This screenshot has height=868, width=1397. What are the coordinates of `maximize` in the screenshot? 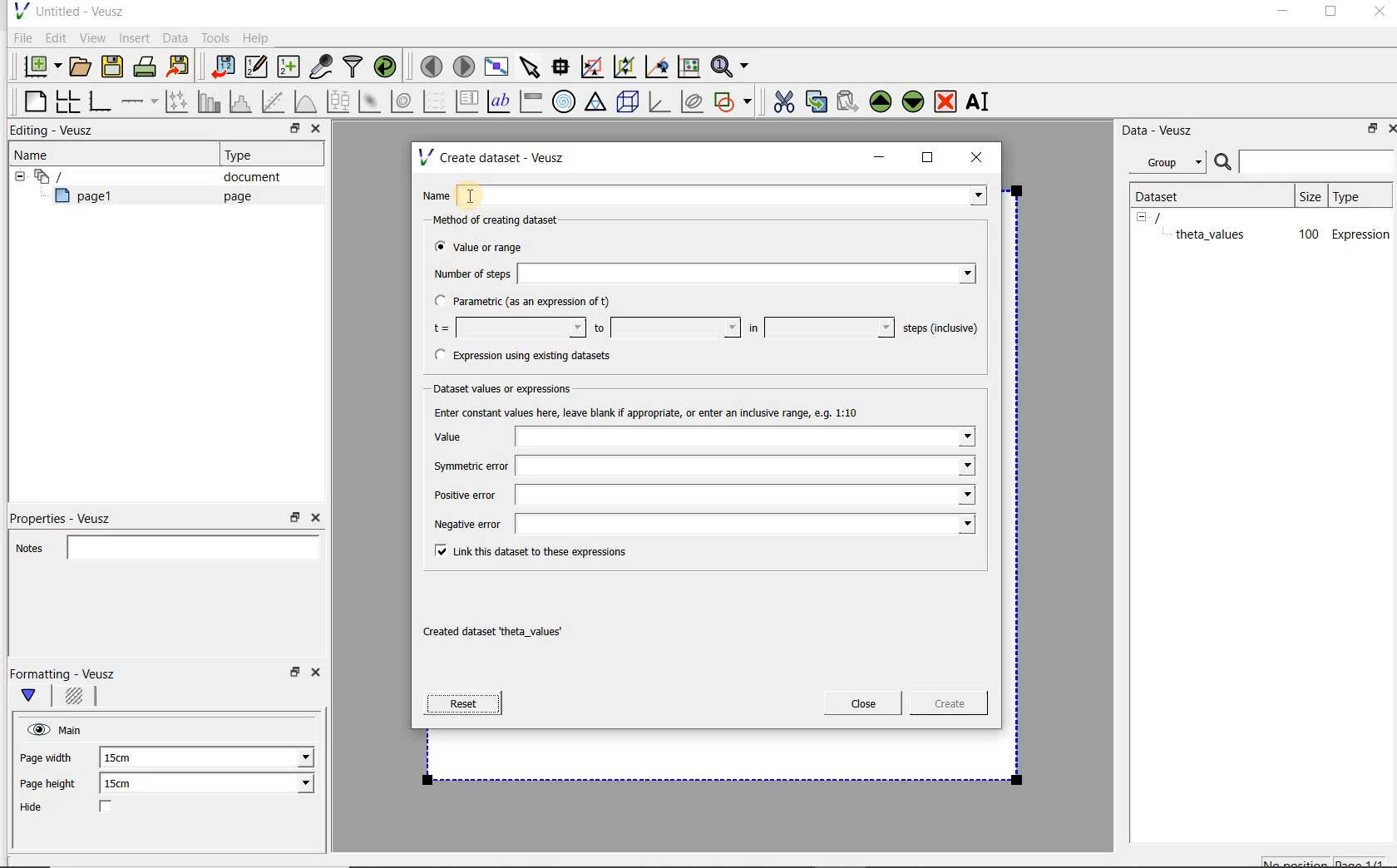 It's located at (928, 158).